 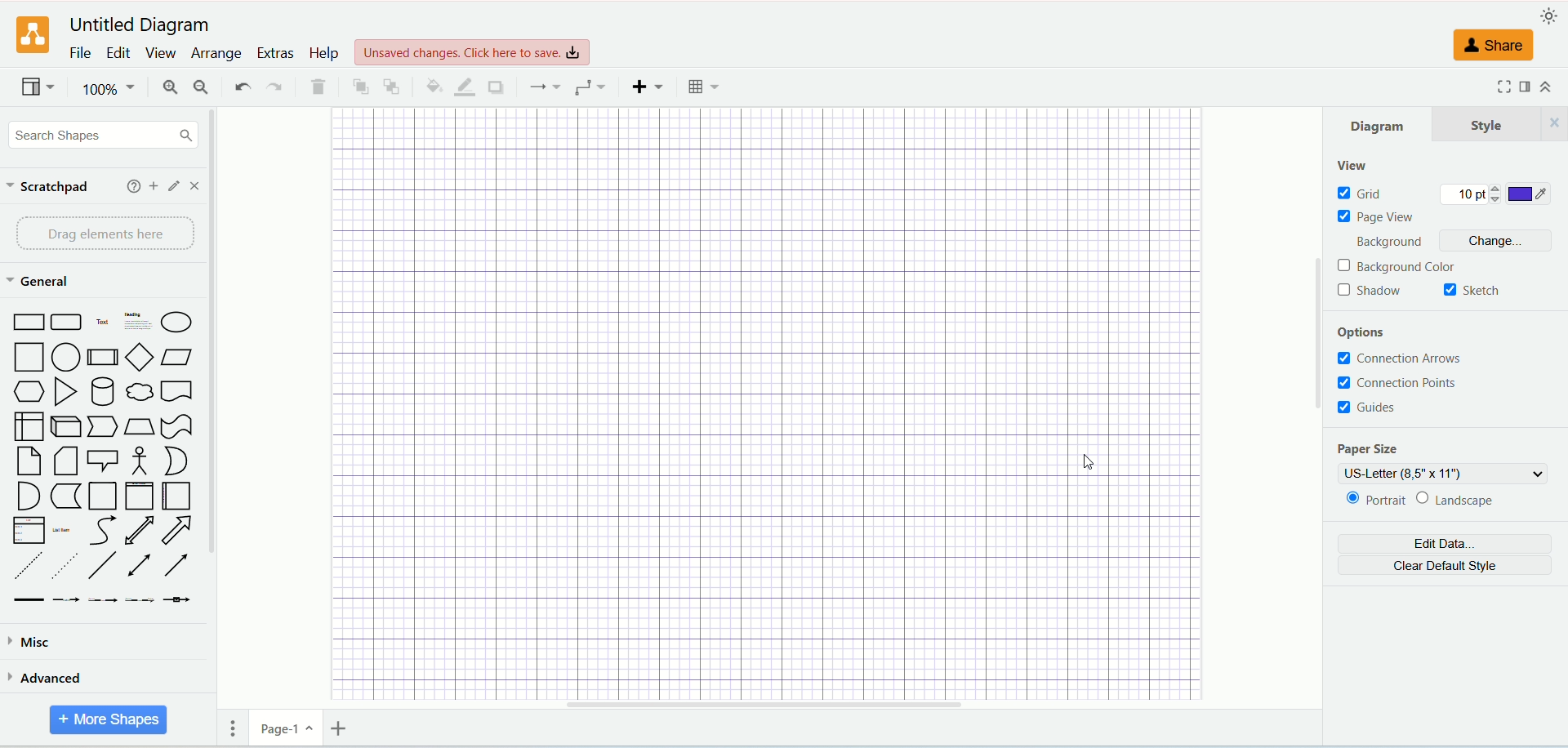 I want to click on Thought Bubble, so click(x=139, y=393).